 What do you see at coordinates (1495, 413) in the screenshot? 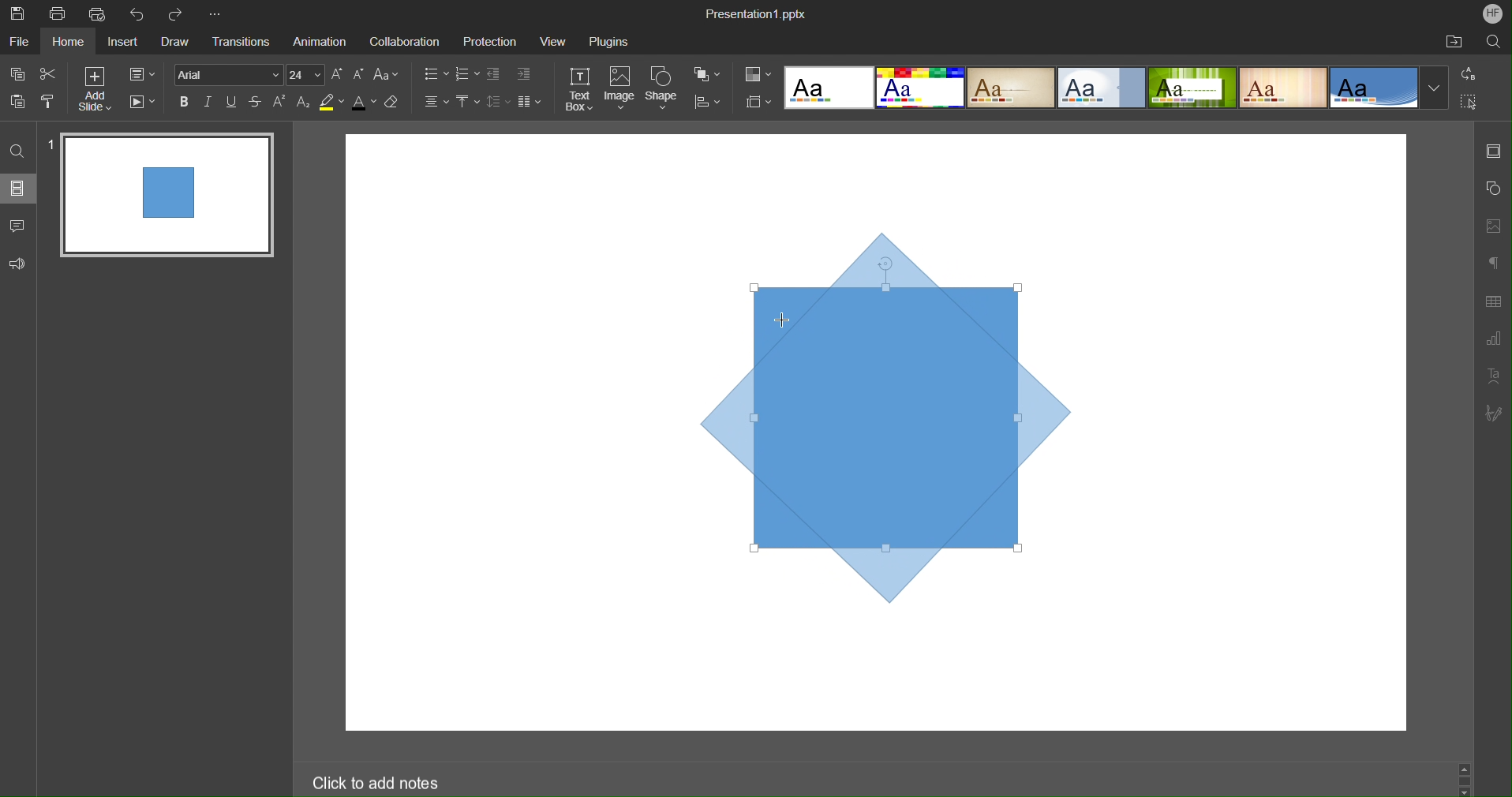
I see `Signature` at bounding box center [1495, 413].